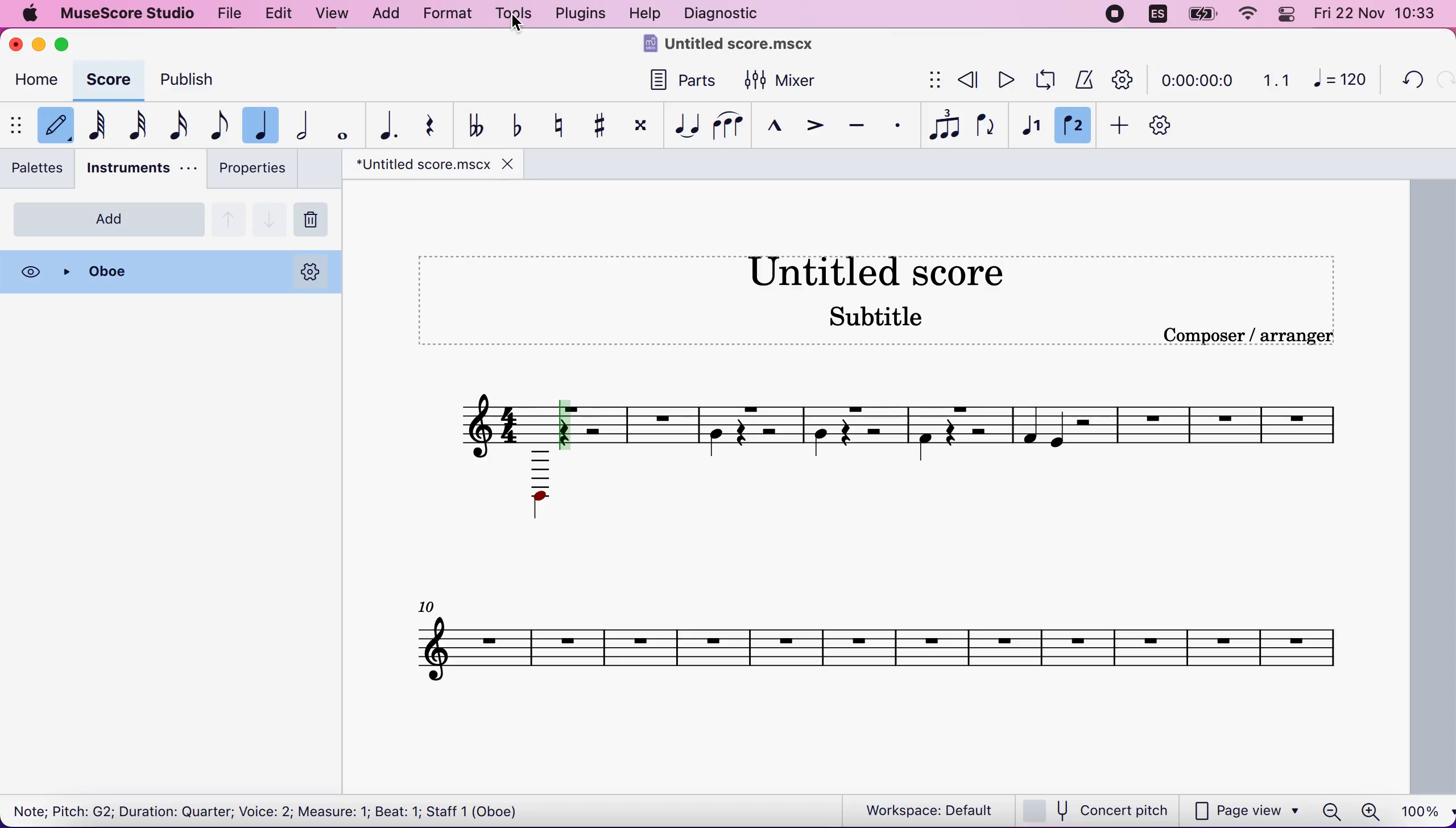 This screenshot has width=1456, height=828. I want to click on tuples, so click(938, 125).